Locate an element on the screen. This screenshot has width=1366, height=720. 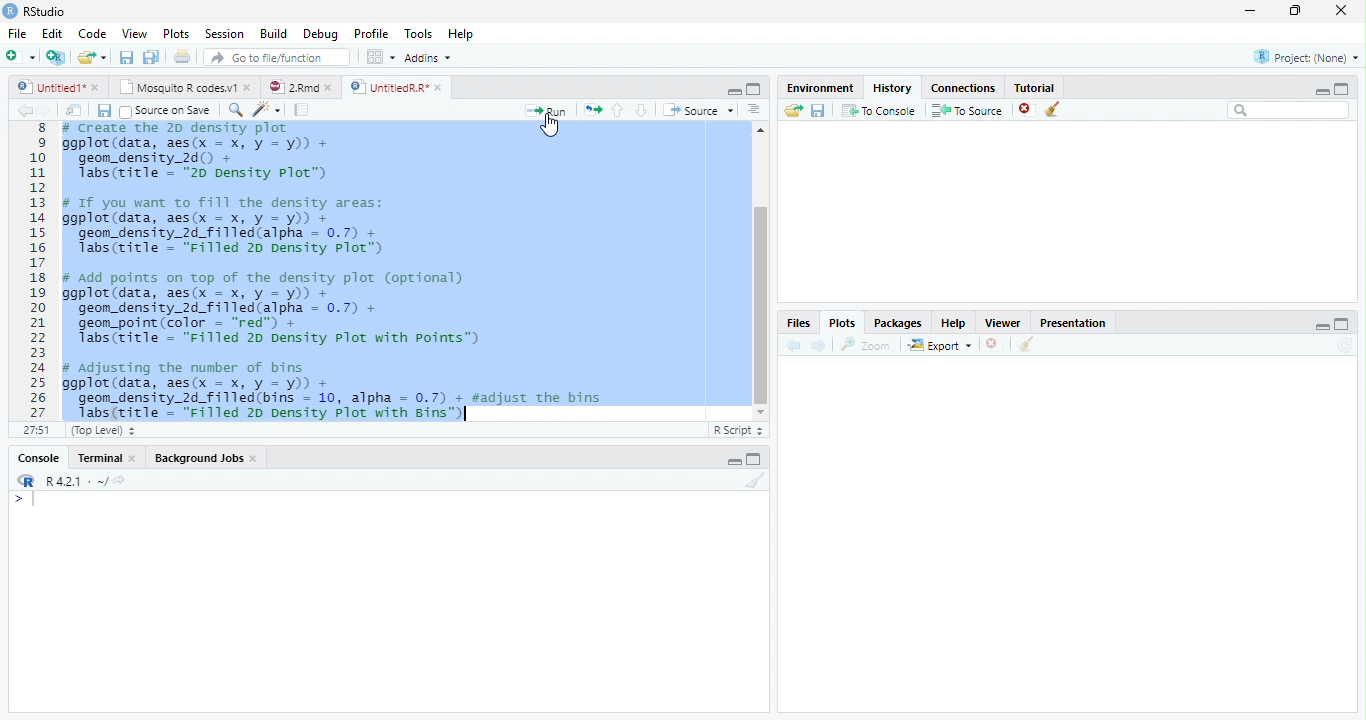
To source is located at coordinates (968, 111).